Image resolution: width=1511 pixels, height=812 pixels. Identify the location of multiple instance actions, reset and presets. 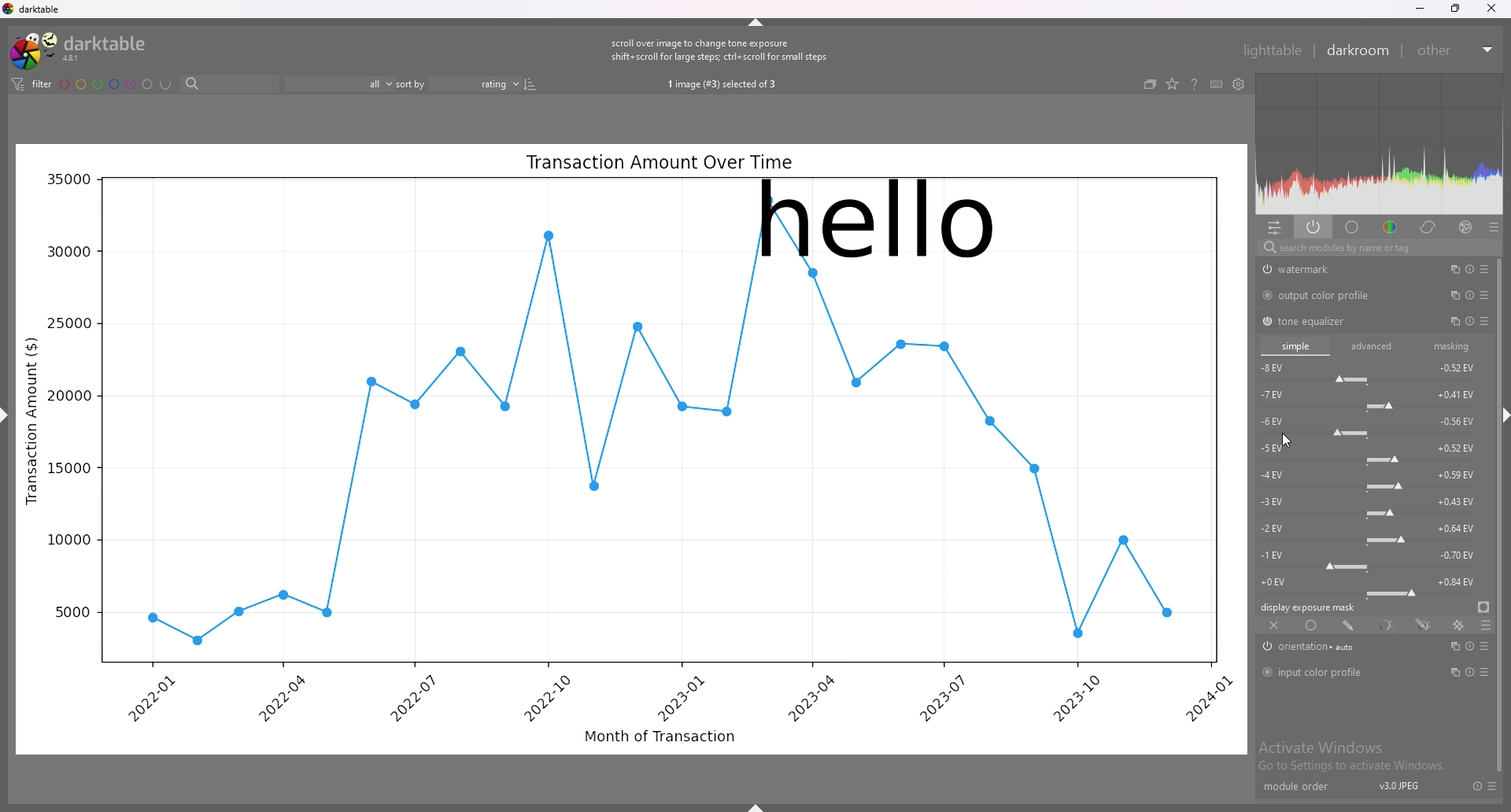
(1469, 268).